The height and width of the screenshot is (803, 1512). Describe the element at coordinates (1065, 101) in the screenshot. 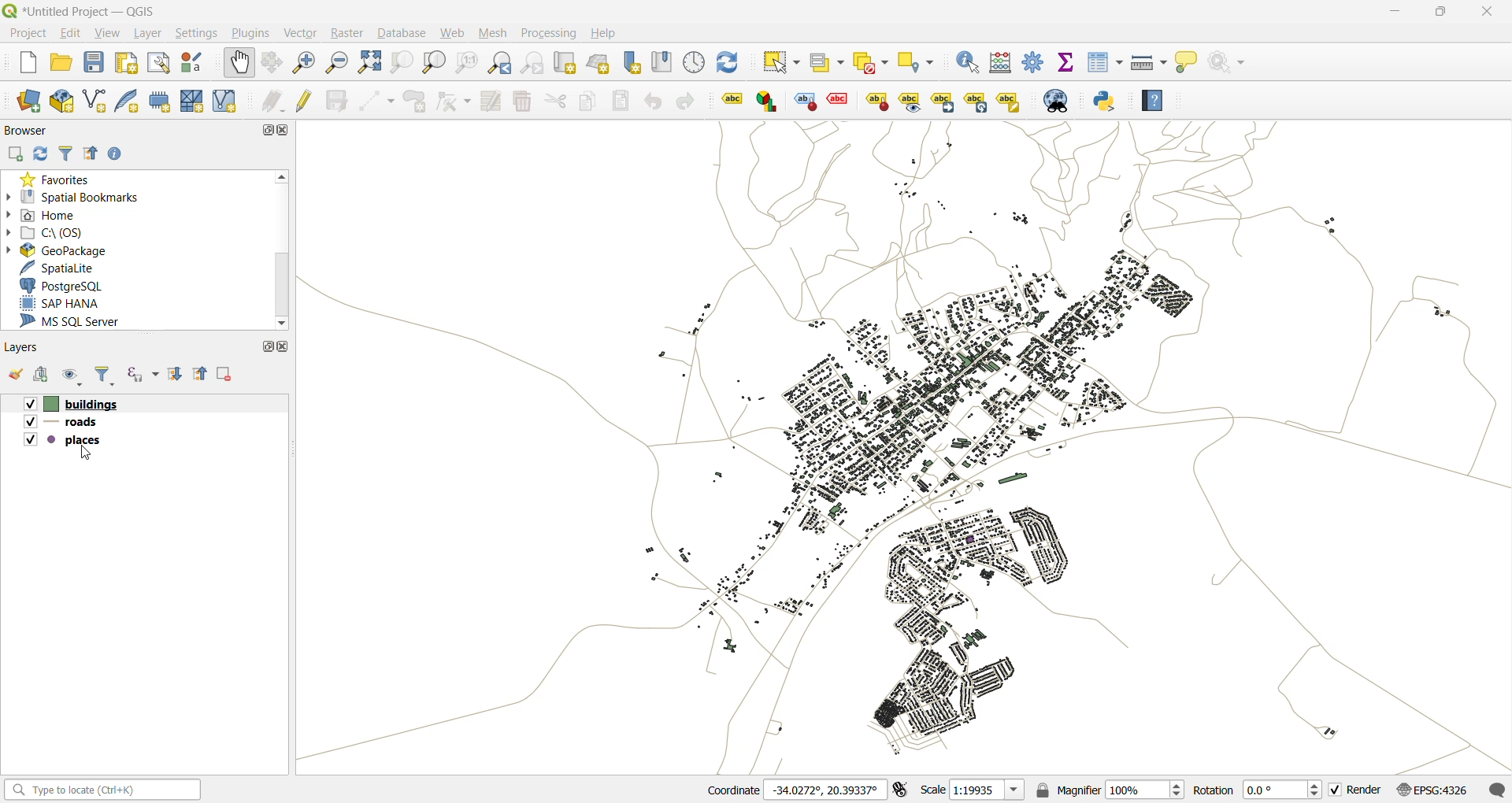

I see `metasearch` at that location.